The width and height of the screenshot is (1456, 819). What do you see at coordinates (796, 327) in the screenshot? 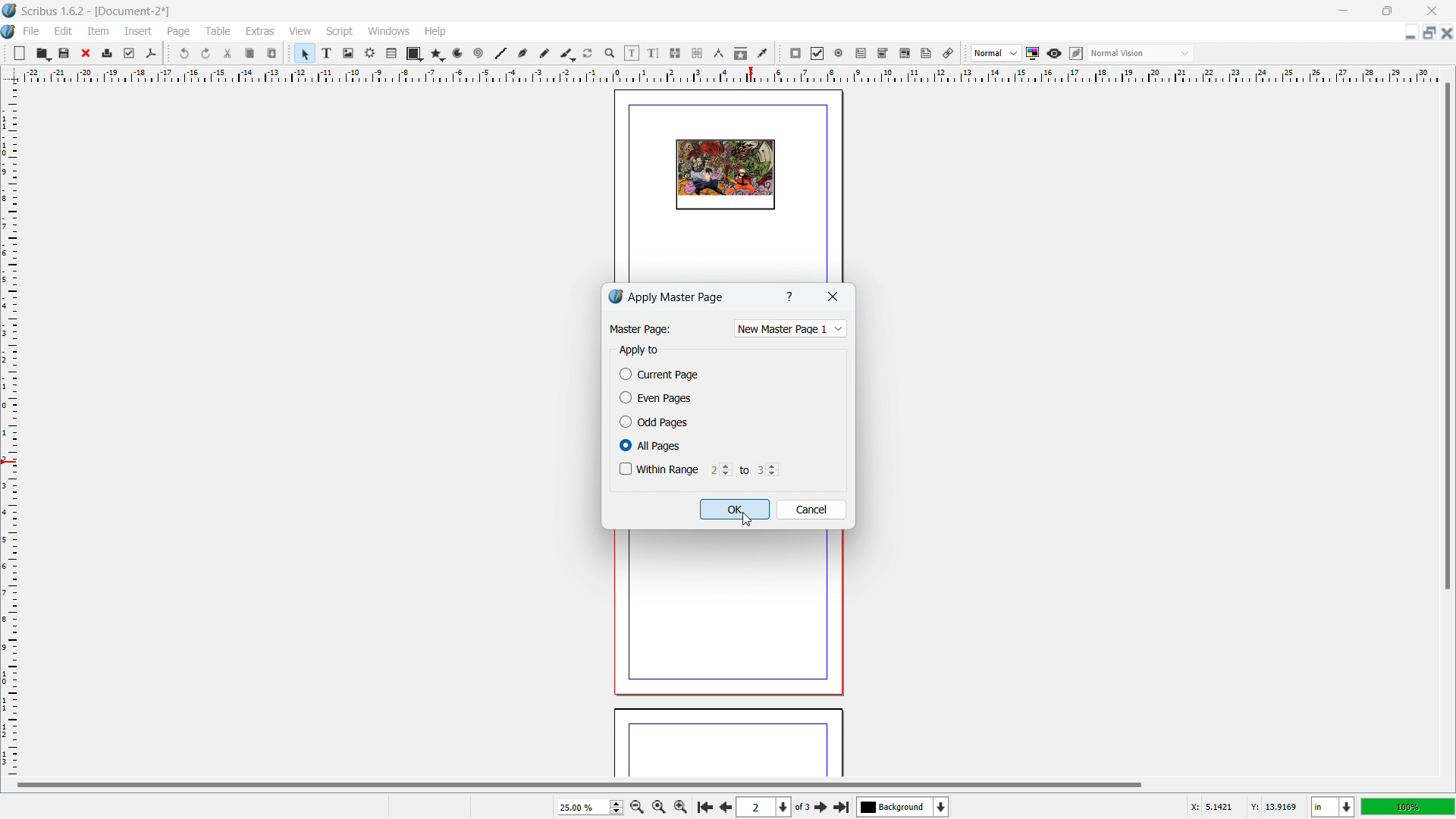
I see `new master page selected` at bounding box center [796, 327].